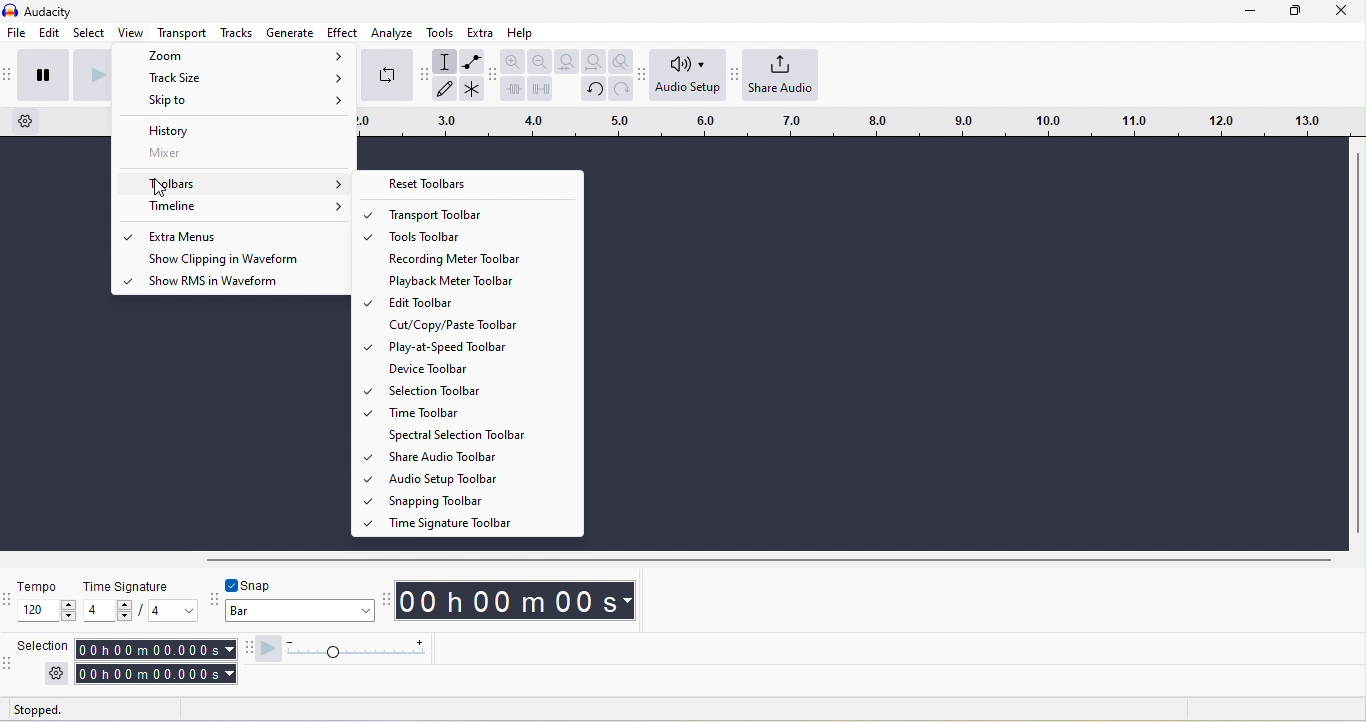  What do you see at coordinates (17, 32) in the screenshot?
I see `file` at bounding box center [17, 32].